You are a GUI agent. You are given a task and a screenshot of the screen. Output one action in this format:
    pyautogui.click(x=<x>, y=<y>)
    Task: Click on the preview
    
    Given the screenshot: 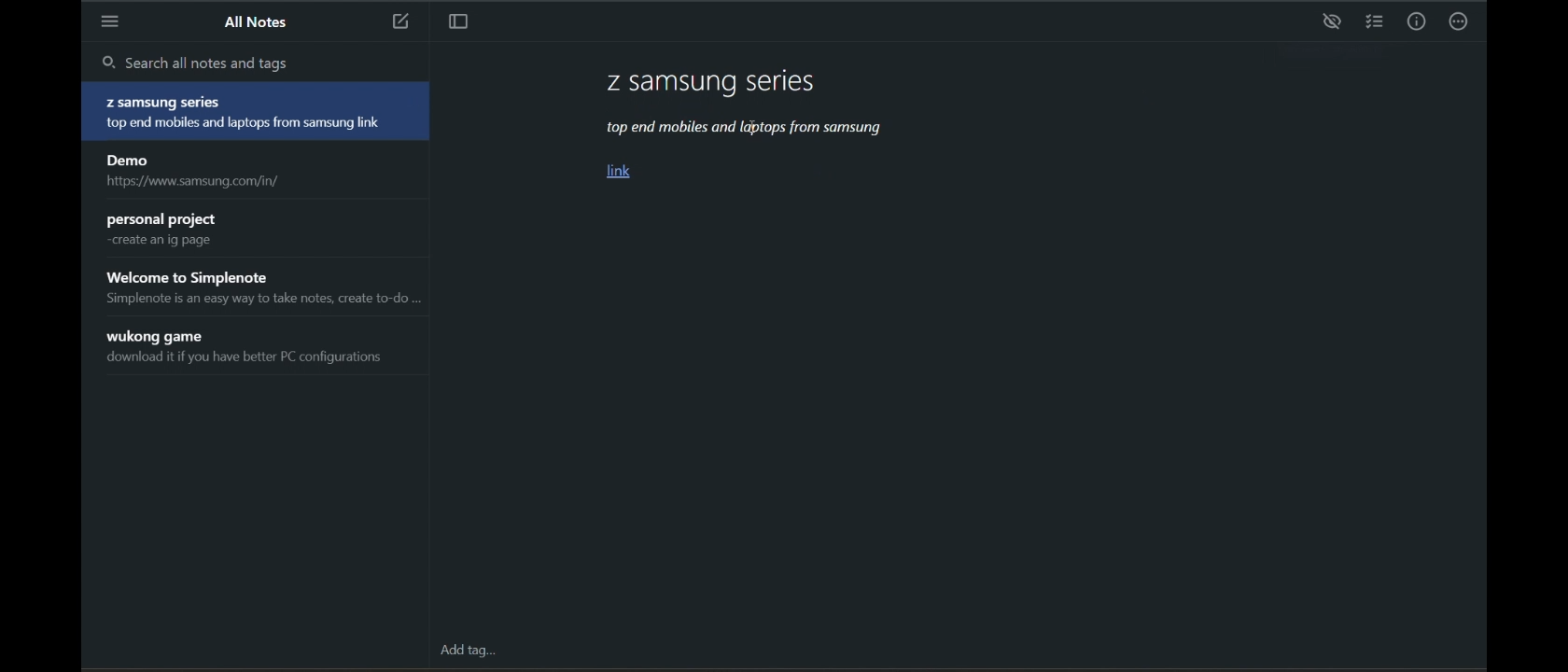 What is the action you would take?
    pyautogui.click(x=1334, y=21)
    